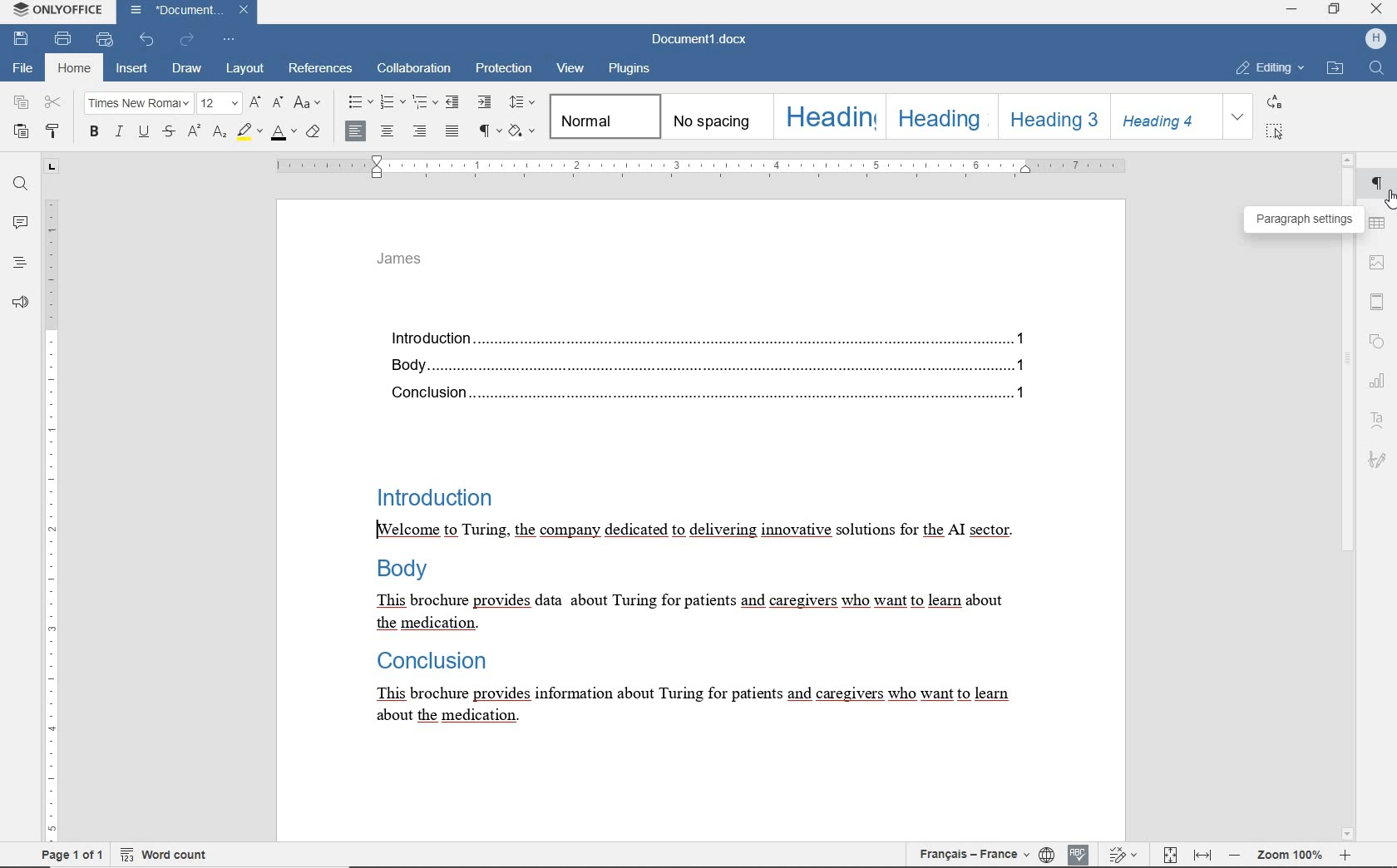 This screenshot has height=868, width=1397. What do you see at coordinates (1386, 204) in the screenshot?
I see `cursor` at bounding box center [1386, 204].